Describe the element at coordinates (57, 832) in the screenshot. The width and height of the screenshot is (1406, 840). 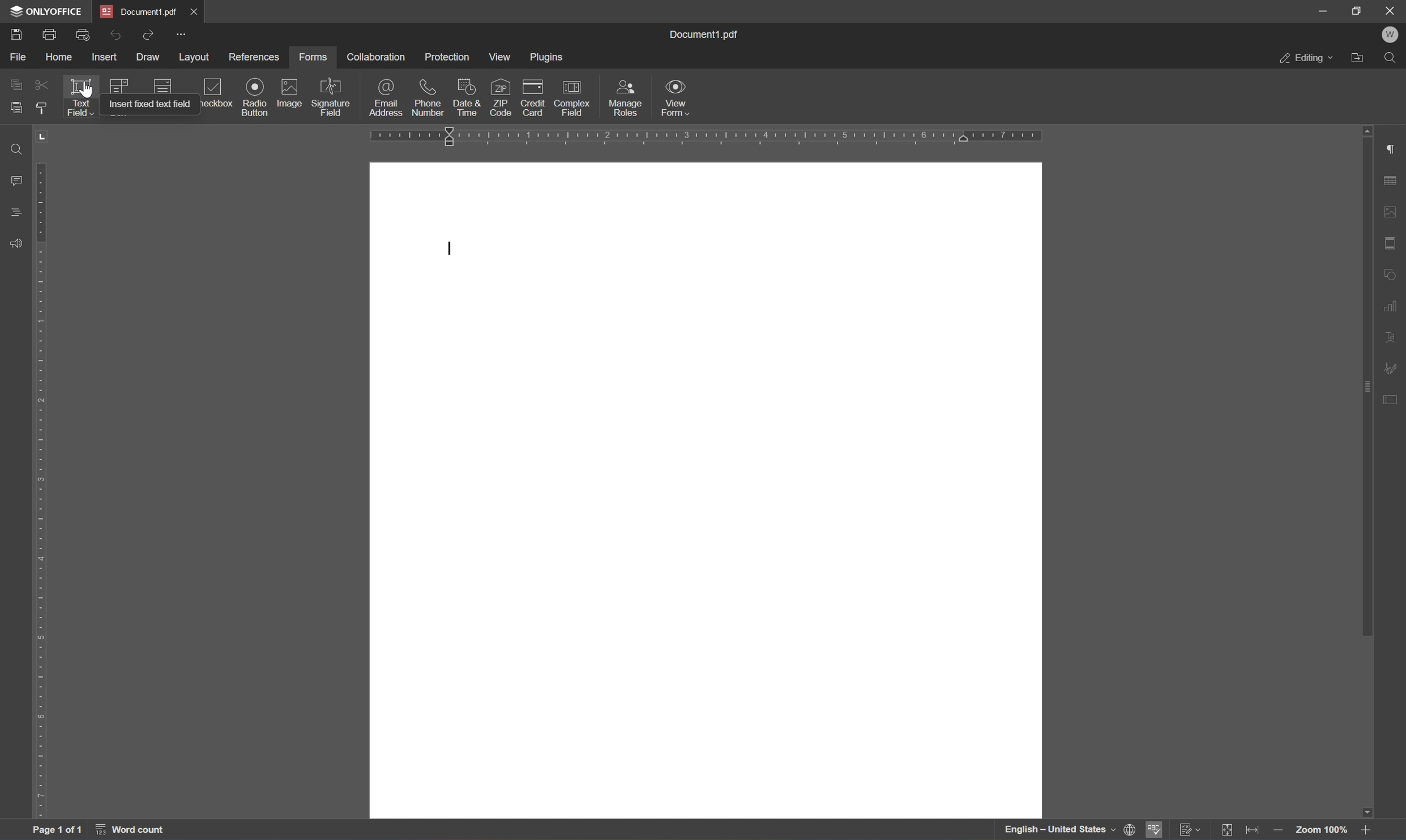
I see `Page 1 of 1` at that location.